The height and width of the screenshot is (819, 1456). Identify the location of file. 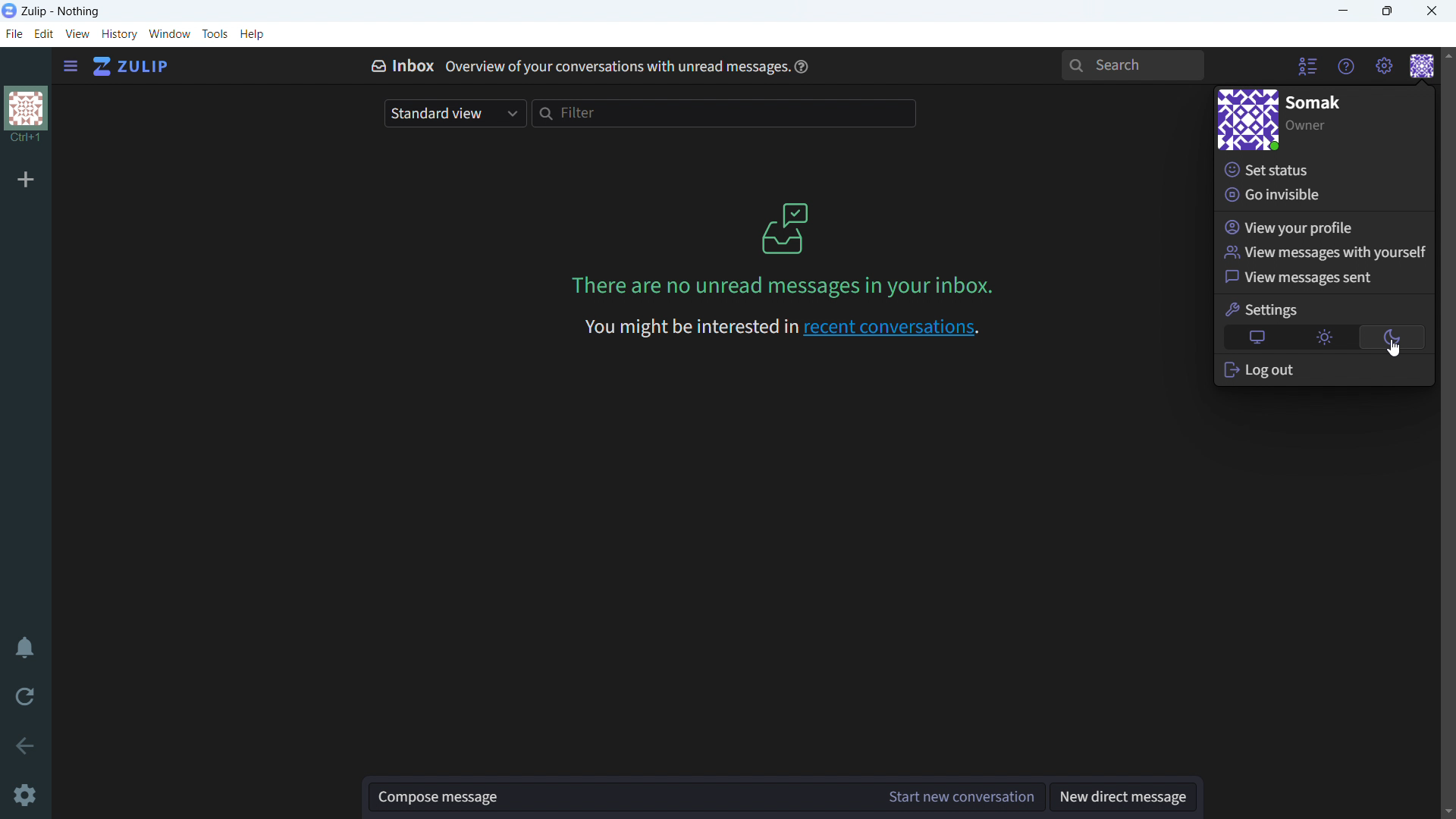
(14, 34).